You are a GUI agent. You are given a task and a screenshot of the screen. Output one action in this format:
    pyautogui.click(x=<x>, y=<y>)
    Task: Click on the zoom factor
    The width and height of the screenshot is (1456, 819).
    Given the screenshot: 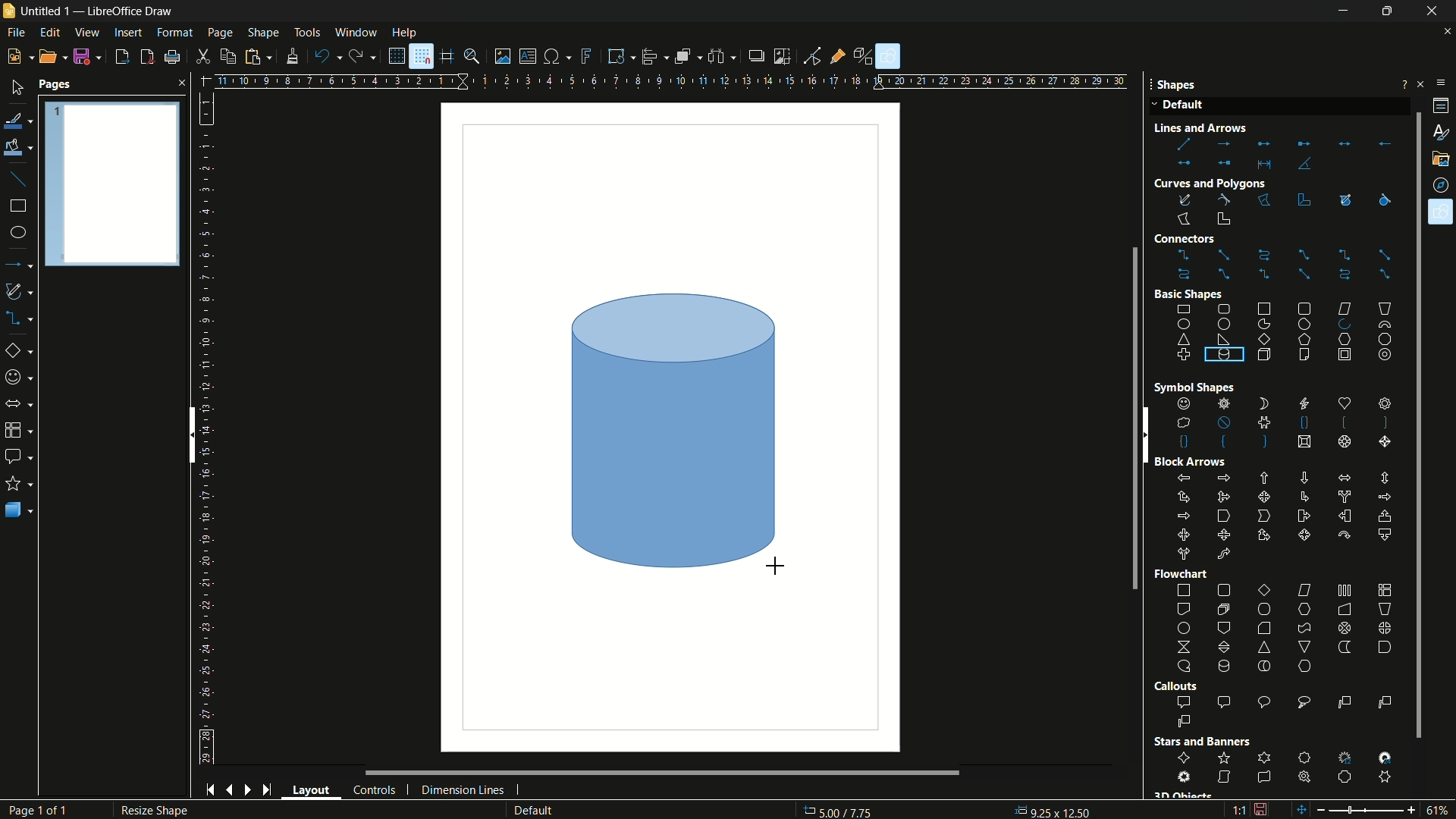 What is the action you would take?
    pyautogui.click(x=1441, y=810)
    